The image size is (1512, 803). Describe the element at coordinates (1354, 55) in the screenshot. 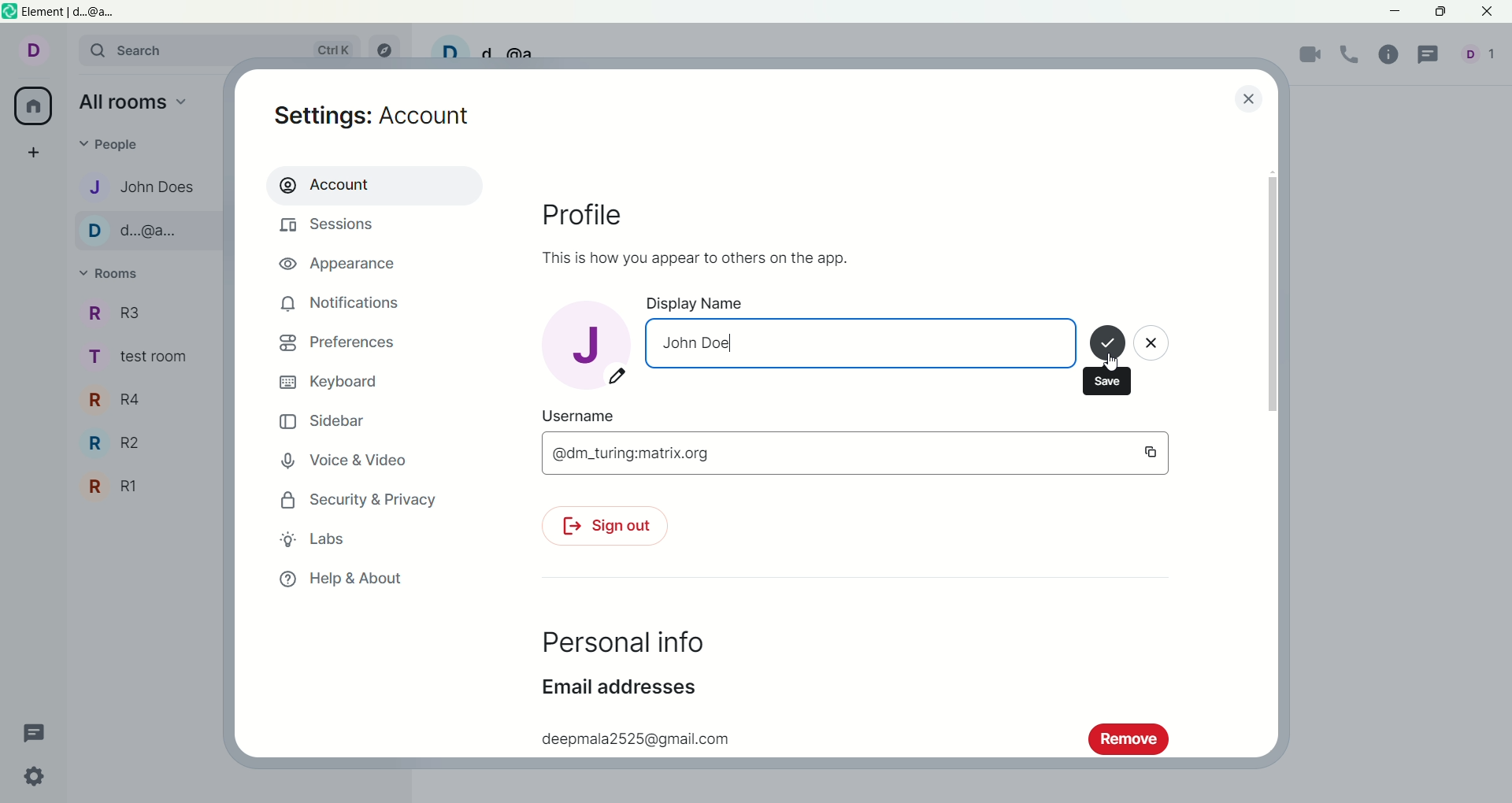

I see `voice call` at that location.